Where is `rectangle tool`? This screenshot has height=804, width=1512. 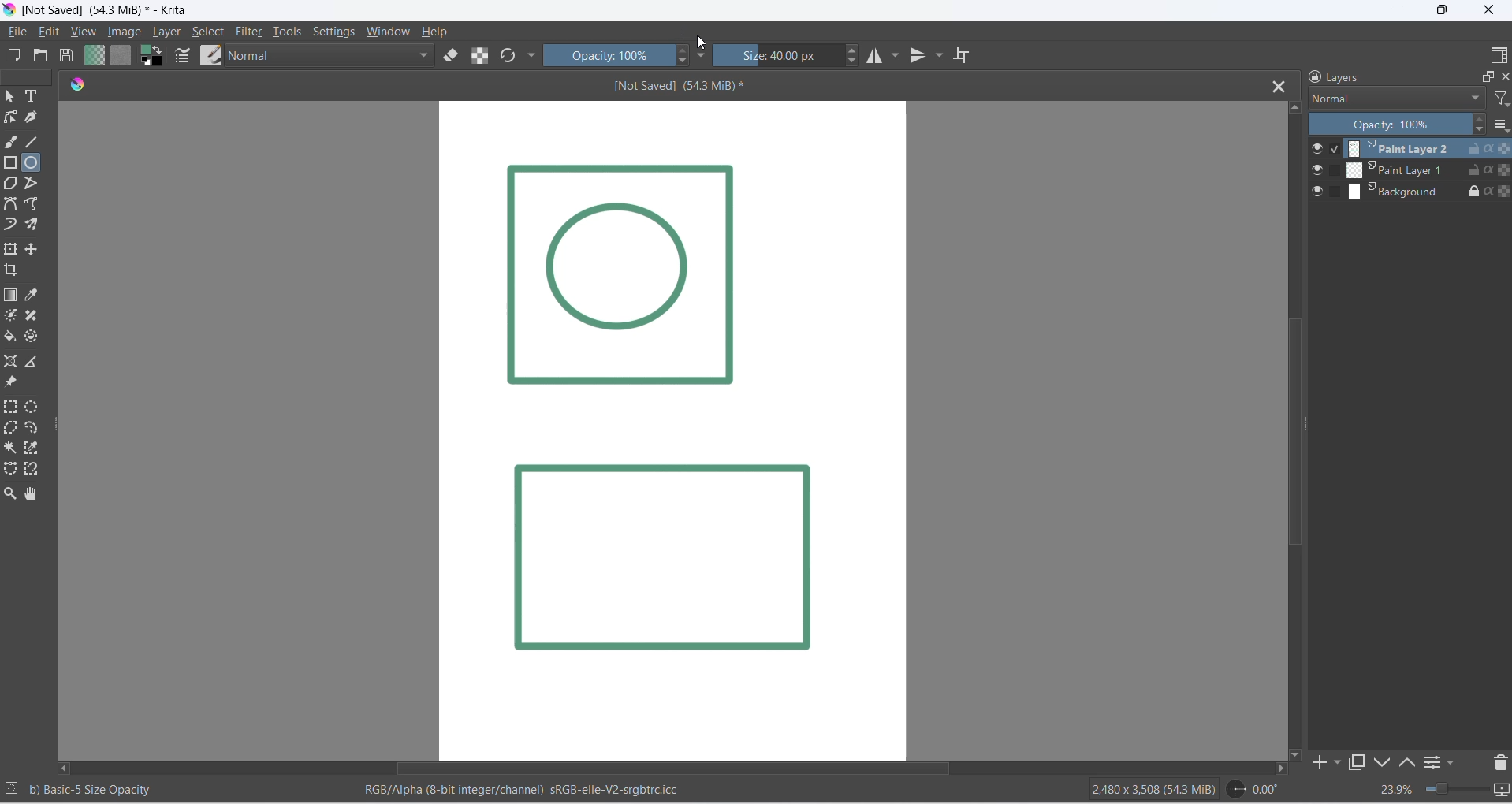
rectangle tool is located at coordinates (10, 163).